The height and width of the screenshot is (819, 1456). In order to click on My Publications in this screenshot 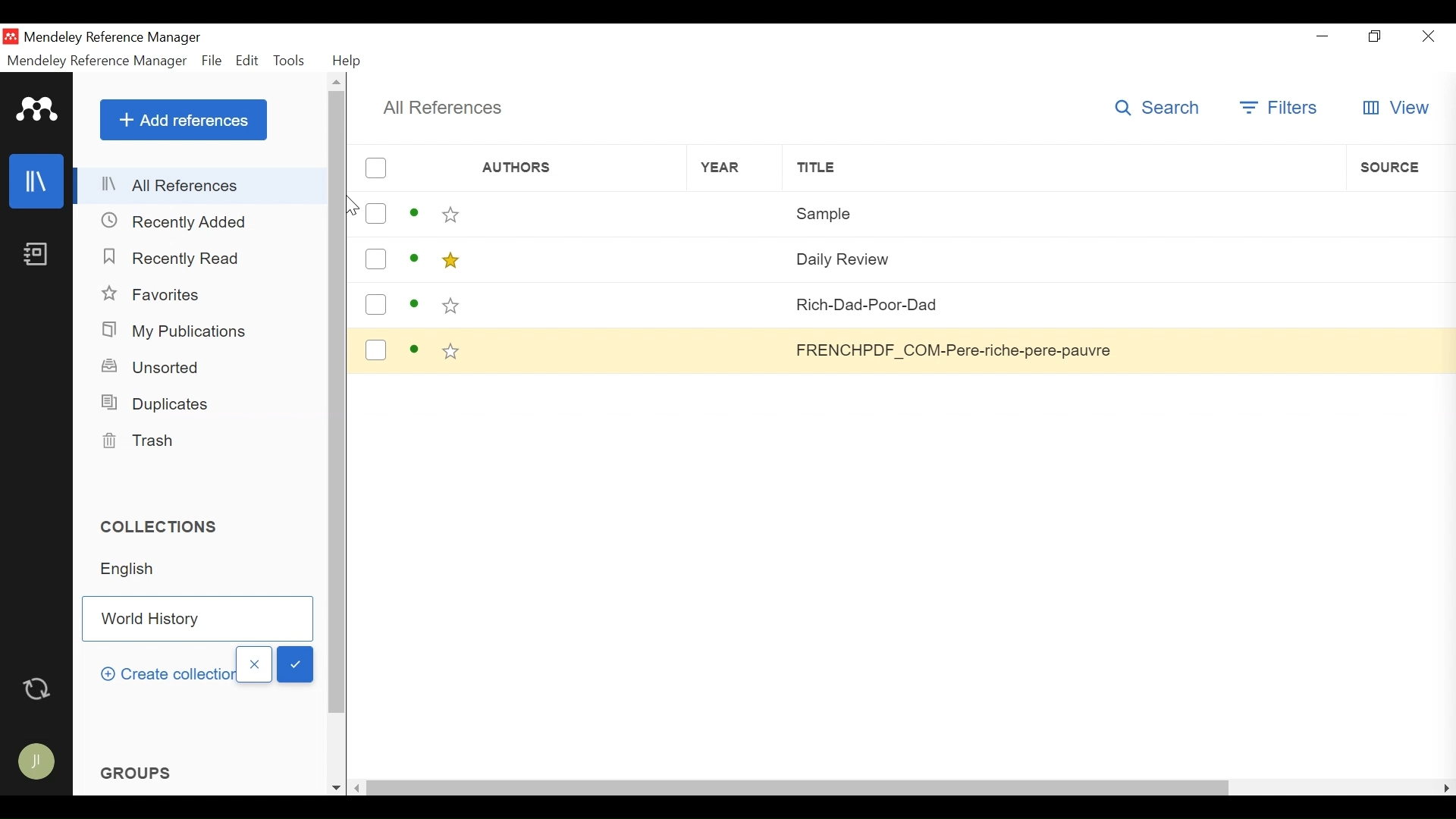, I will do `click(178, 331)`.